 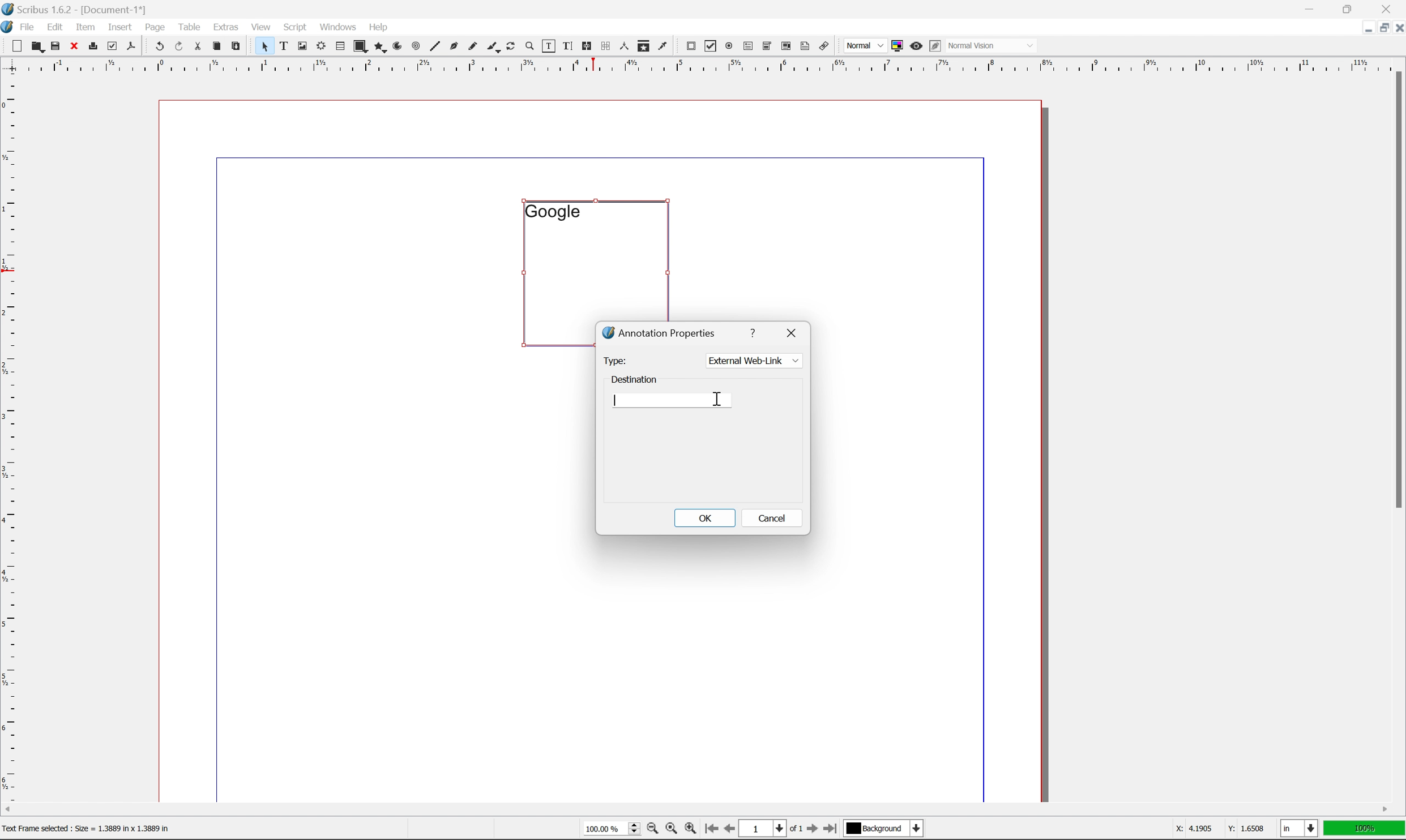 I want to click on save, so click(x=55, y=46).